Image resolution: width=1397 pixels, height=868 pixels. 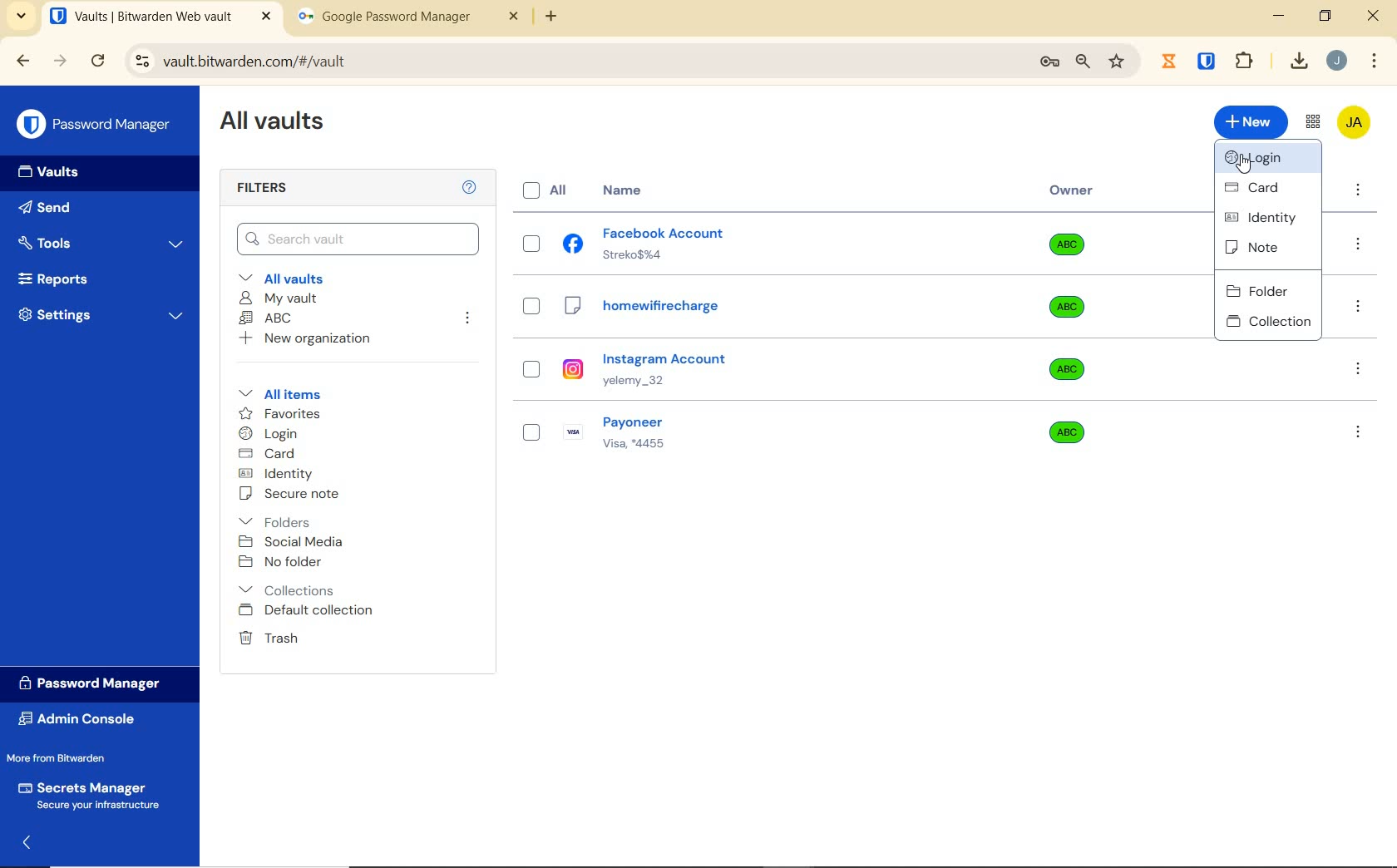 What do you see at coordinates (268, 189) in the screenshot?
I see `Filters` at bounding box center [268, 189].